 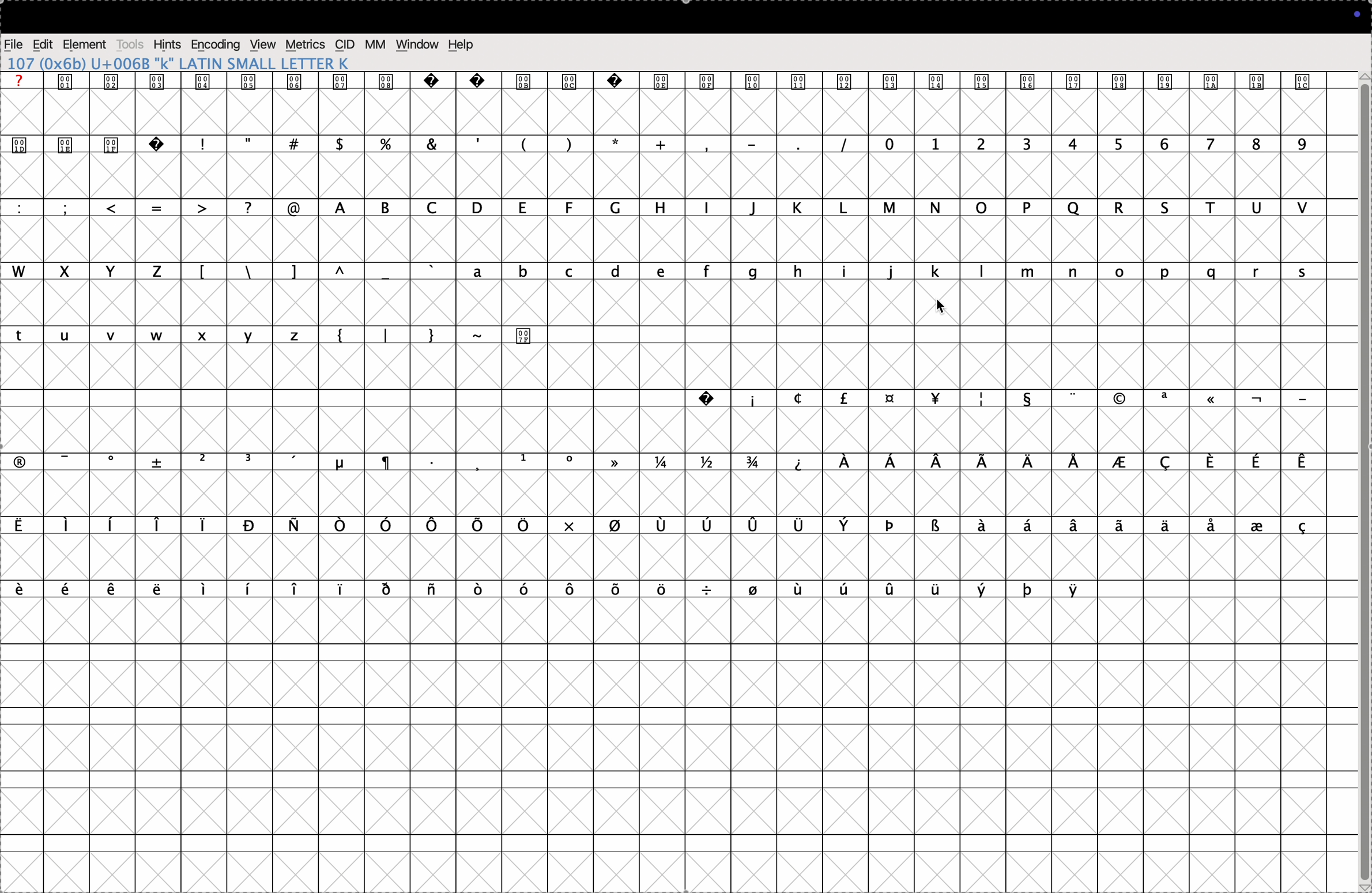 What do you see at coordinates (571, 208) in the screenshot?
I see `f` at bounding box center [571, 208].